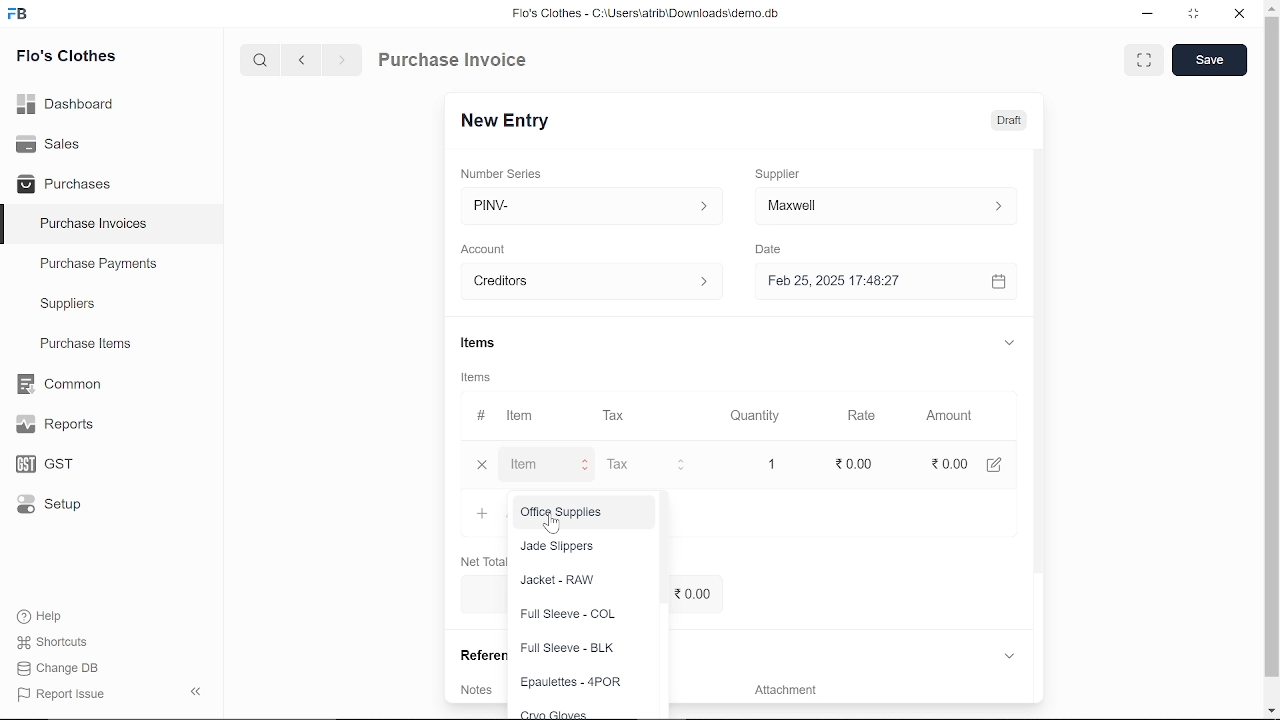 This screenshot has height=720, width=1280. I want to click on Supplier, so click(797, 172).